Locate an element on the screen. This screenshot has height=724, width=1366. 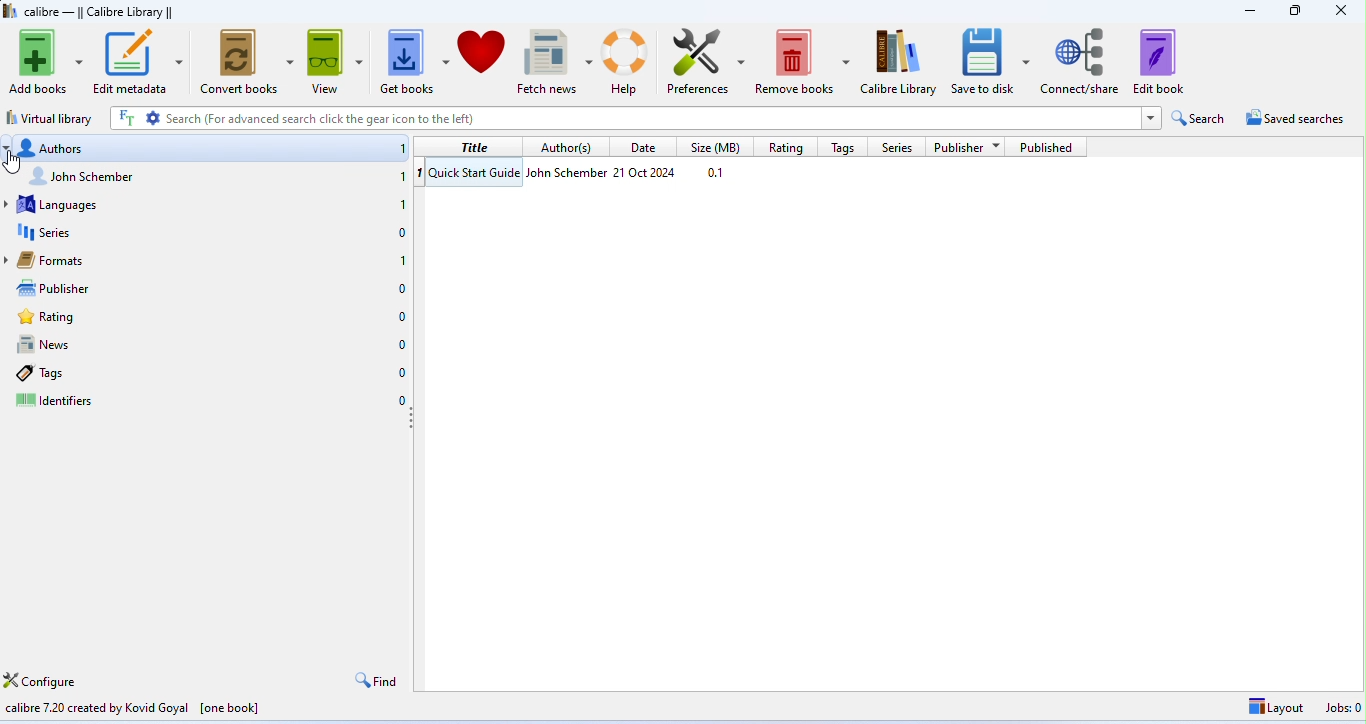
formats is located at coordinates (216, 261).